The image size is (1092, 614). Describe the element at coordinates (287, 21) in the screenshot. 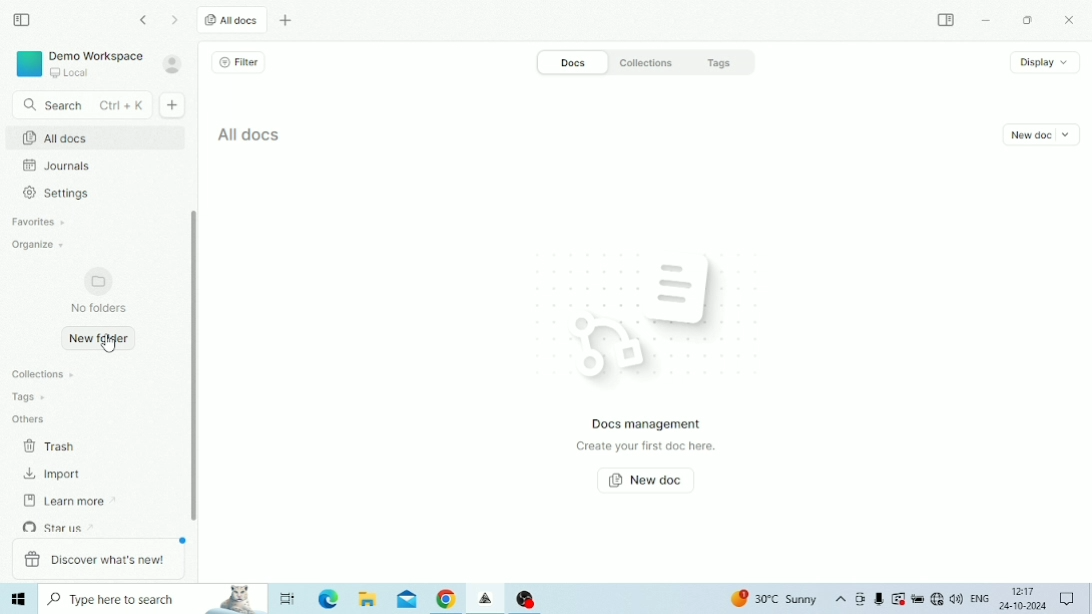

I see `New tab` at that location.